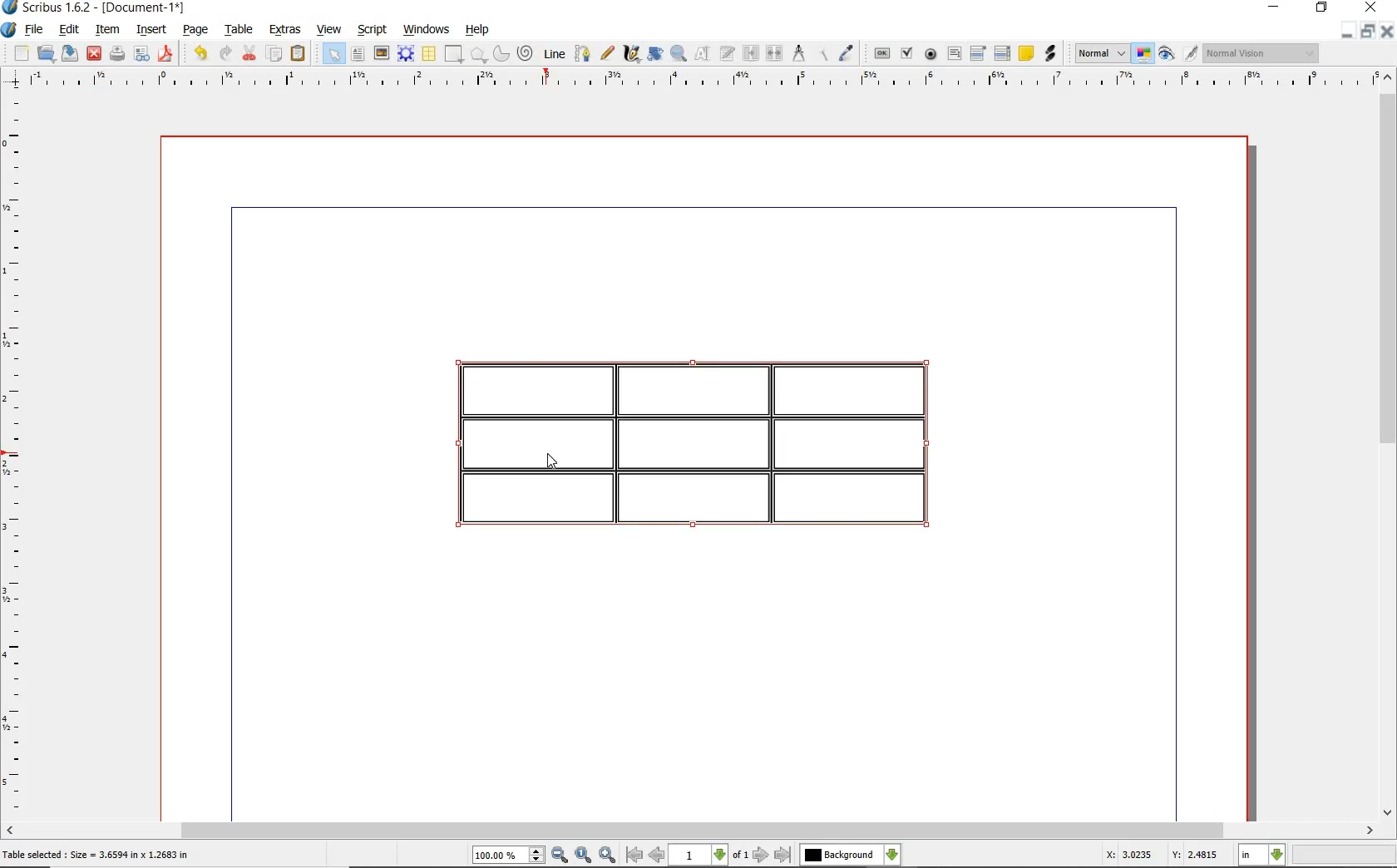 The width and height of the screenshot is (1397, 868). Describe the element at coordinates (200, 54) in the screenshot. I see `undo` at that location.